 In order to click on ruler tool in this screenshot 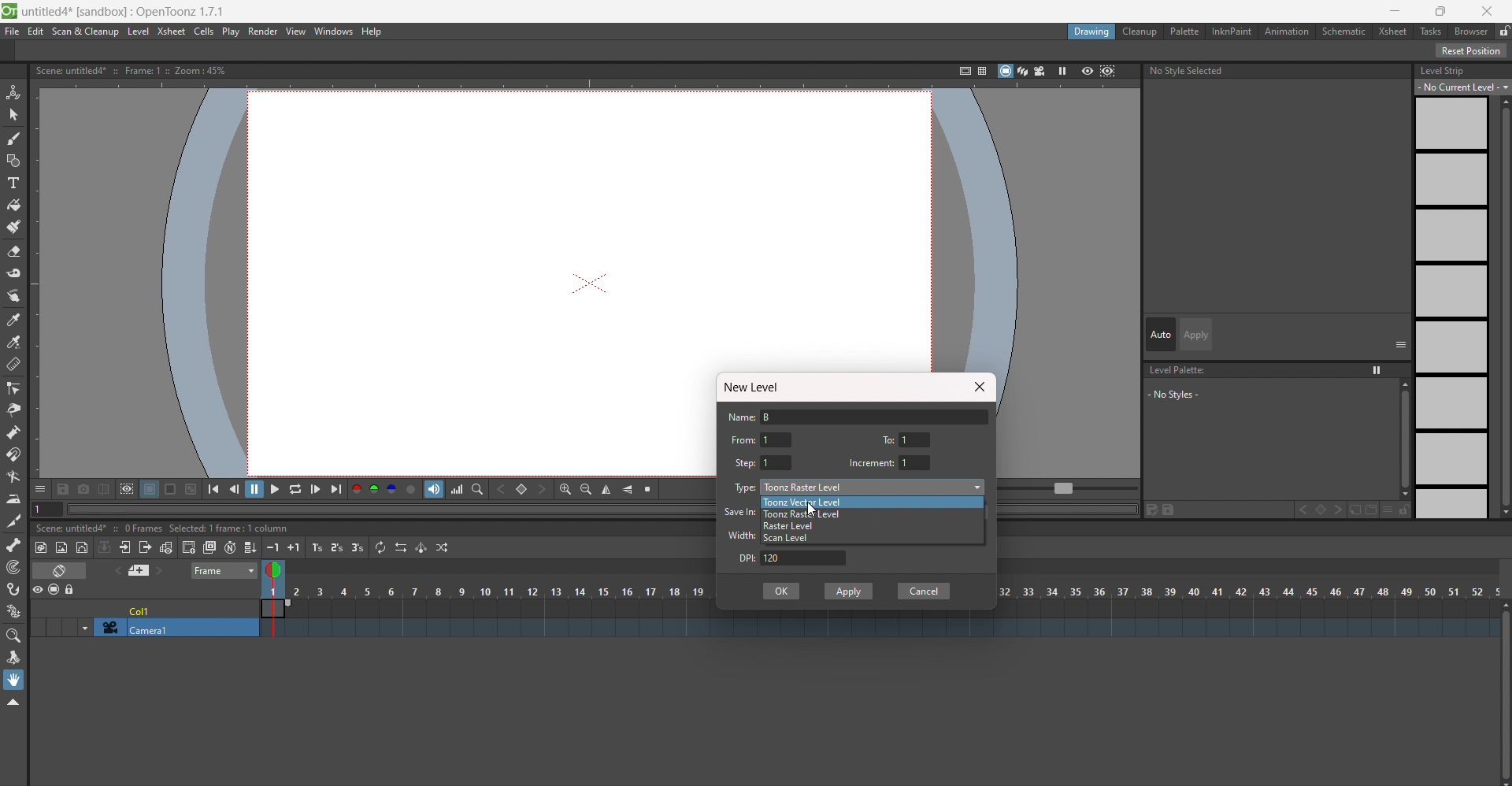, I will do `click(13, 365)`.